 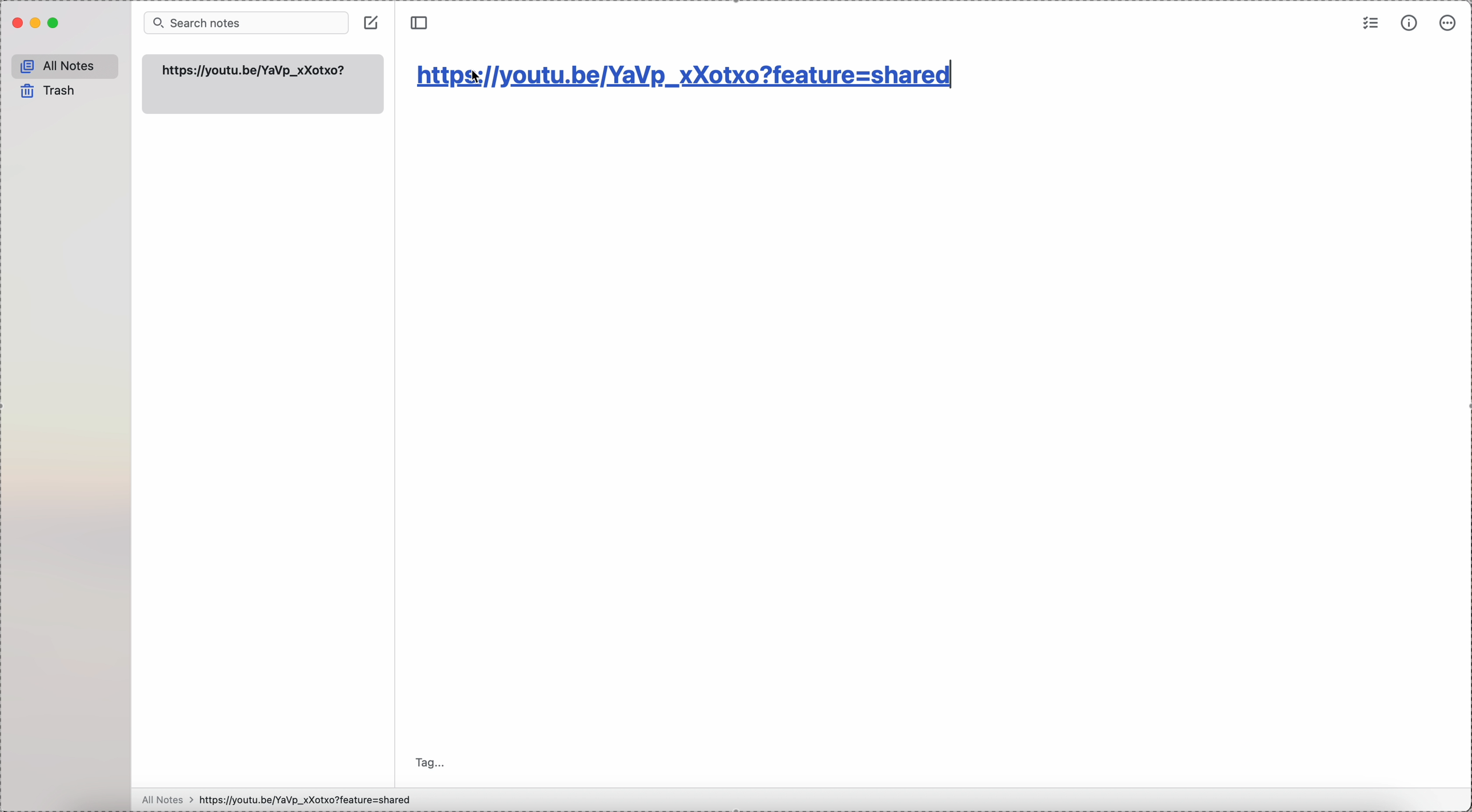 What do you see at coordinates (54, 24) in the screenshot?
I see `maximize` at bounding box center [54, 24].